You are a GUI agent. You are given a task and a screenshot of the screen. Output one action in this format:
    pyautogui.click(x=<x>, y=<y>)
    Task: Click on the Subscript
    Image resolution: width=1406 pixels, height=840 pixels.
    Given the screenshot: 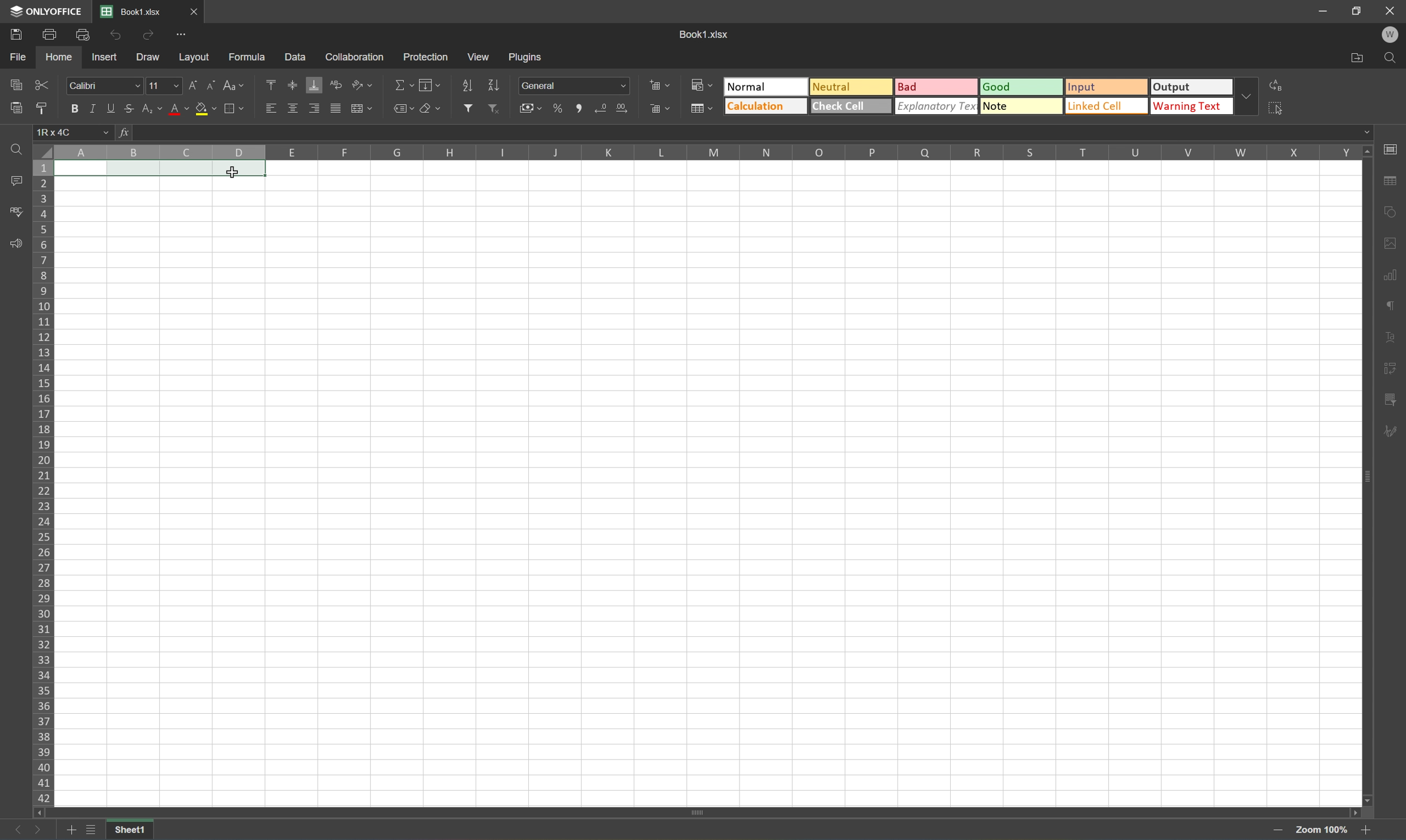 What is the action you would take?
    pyautogui.click(x=153, y=109)
    